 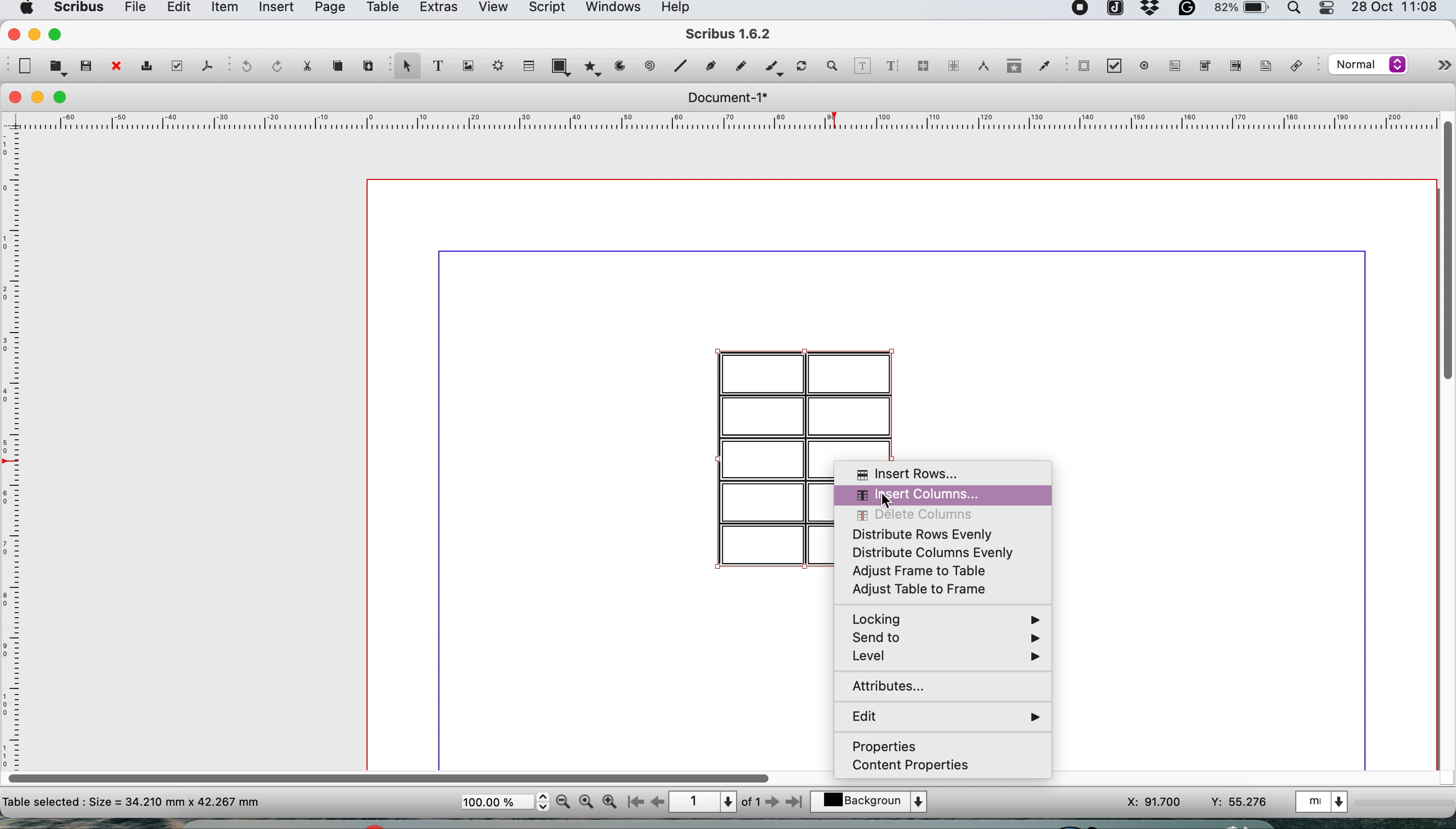 What do you see at coordinates (948, 769) in the screenshot?
I see `content properties` at bounding box center [948, 769].